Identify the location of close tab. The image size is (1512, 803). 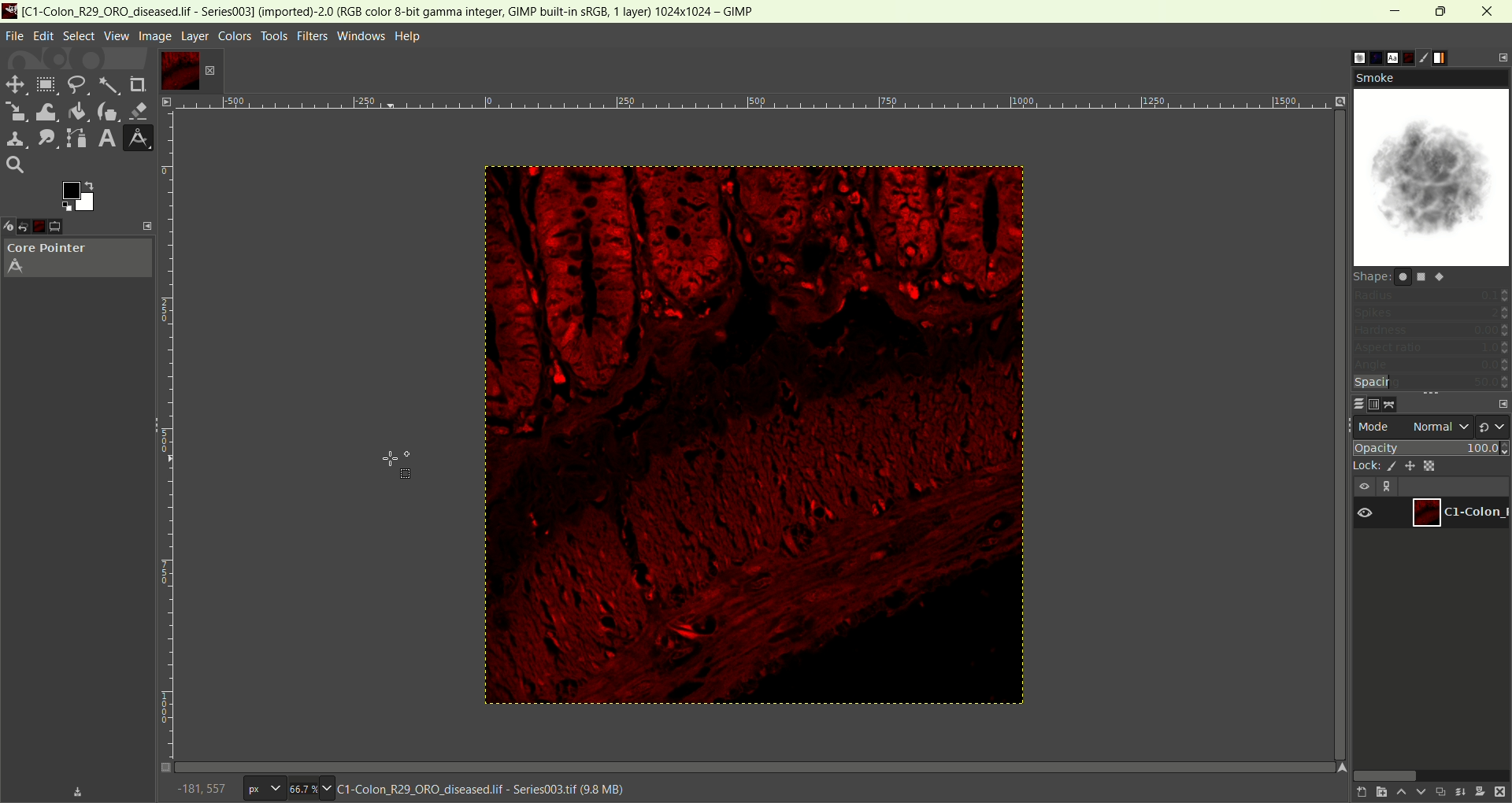
(209, 71).